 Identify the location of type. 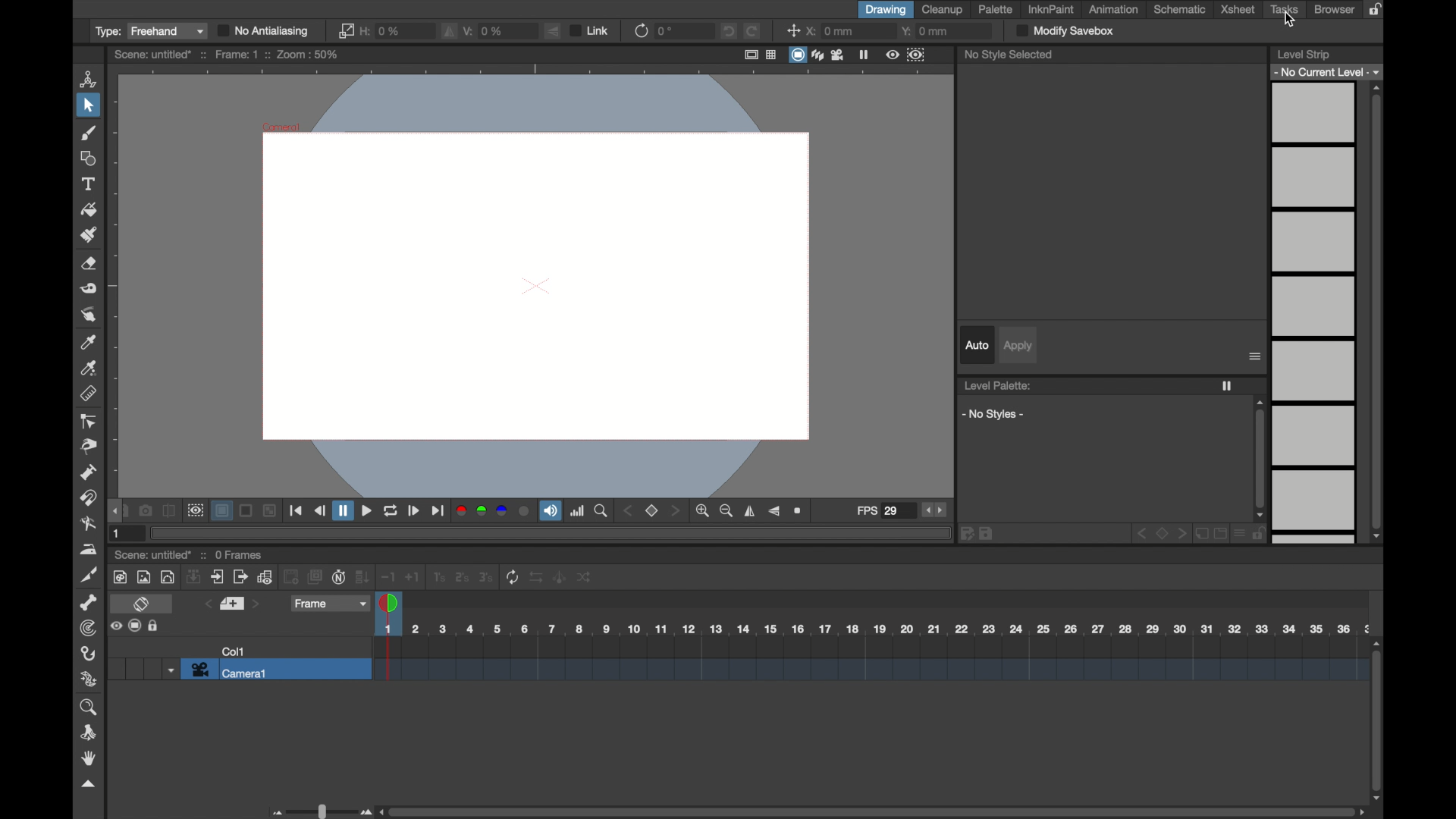
(106, 31).